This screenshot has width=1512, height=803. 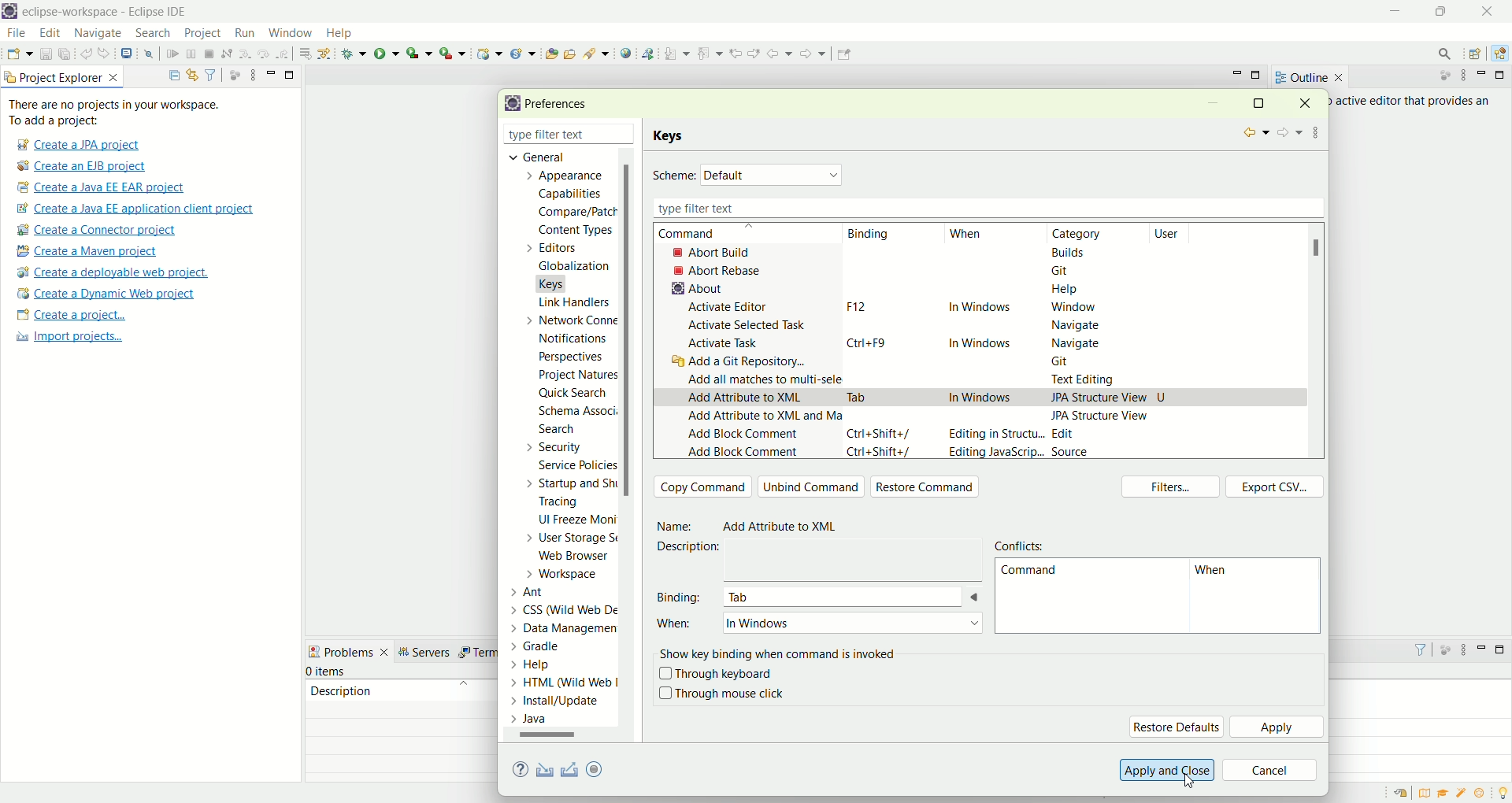 What do you see at coordinates (1072, 326) in the screenshot?
I see `navigate` at bounding box center [1072, 326].